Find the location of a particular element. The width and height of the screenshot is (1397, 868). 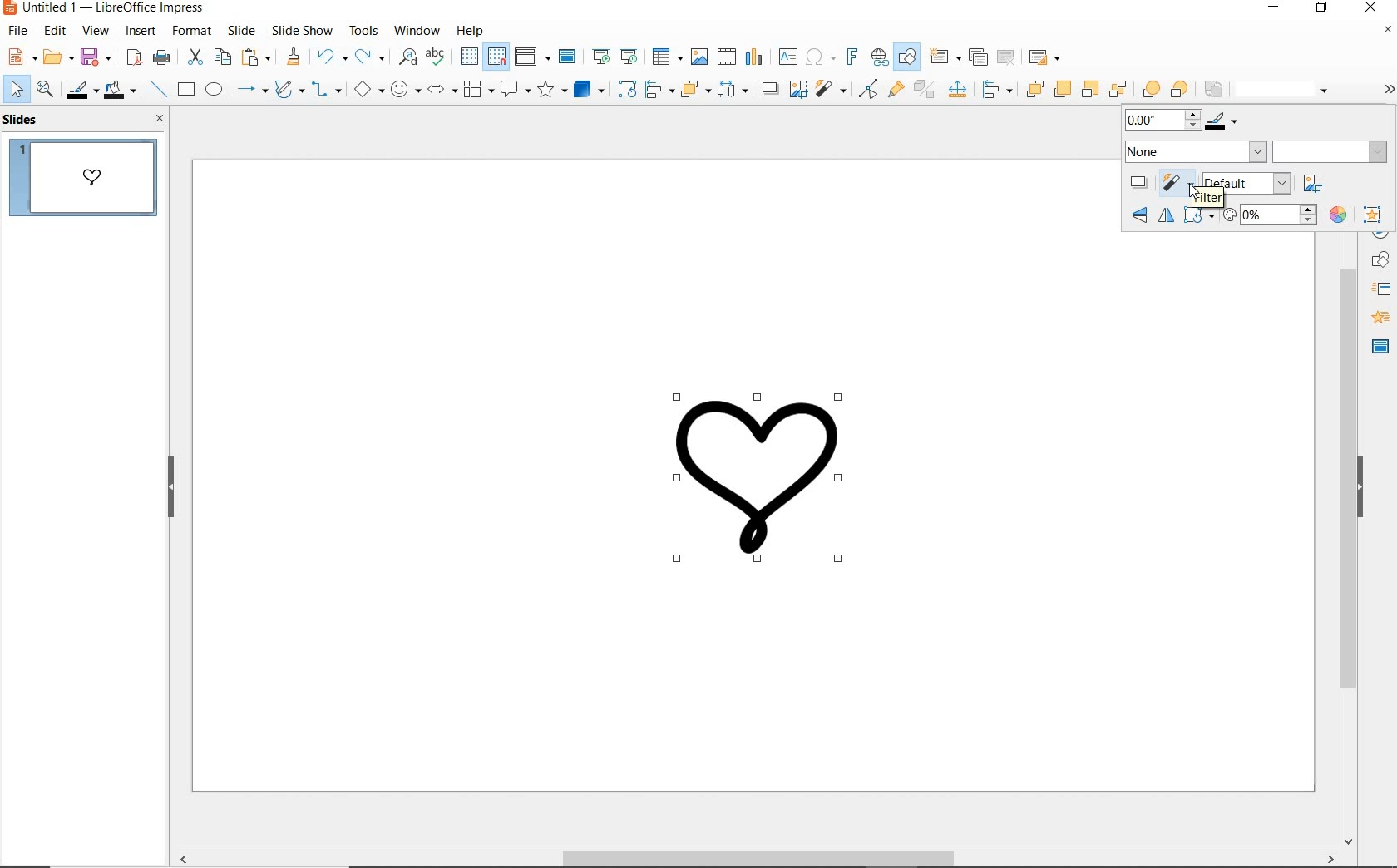

flip is located at coordinates (1153, 218).